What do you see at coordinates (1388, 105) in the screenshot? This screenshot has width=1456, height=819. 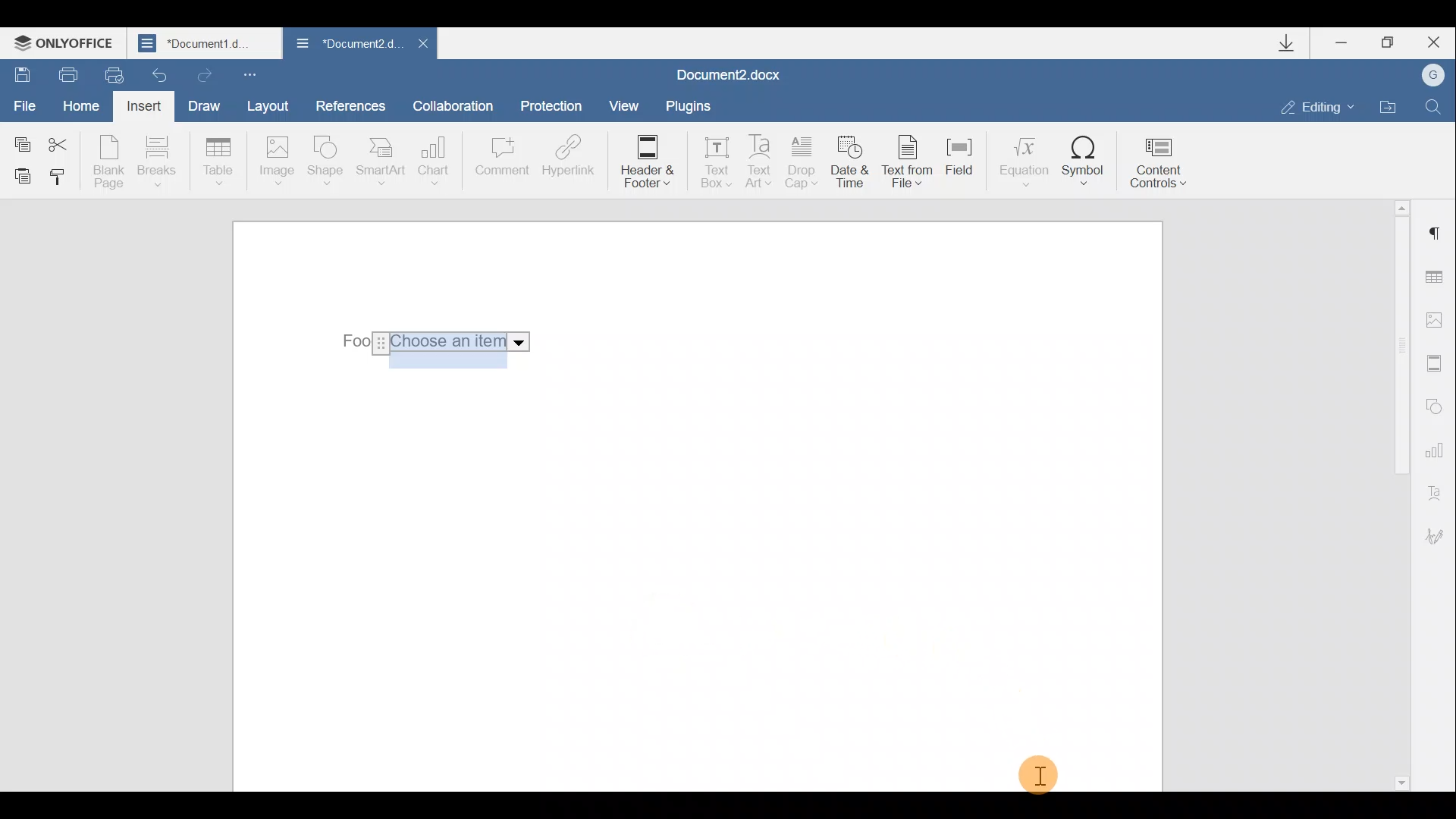 I see `Open file location` at bounding box center [1388, 105].